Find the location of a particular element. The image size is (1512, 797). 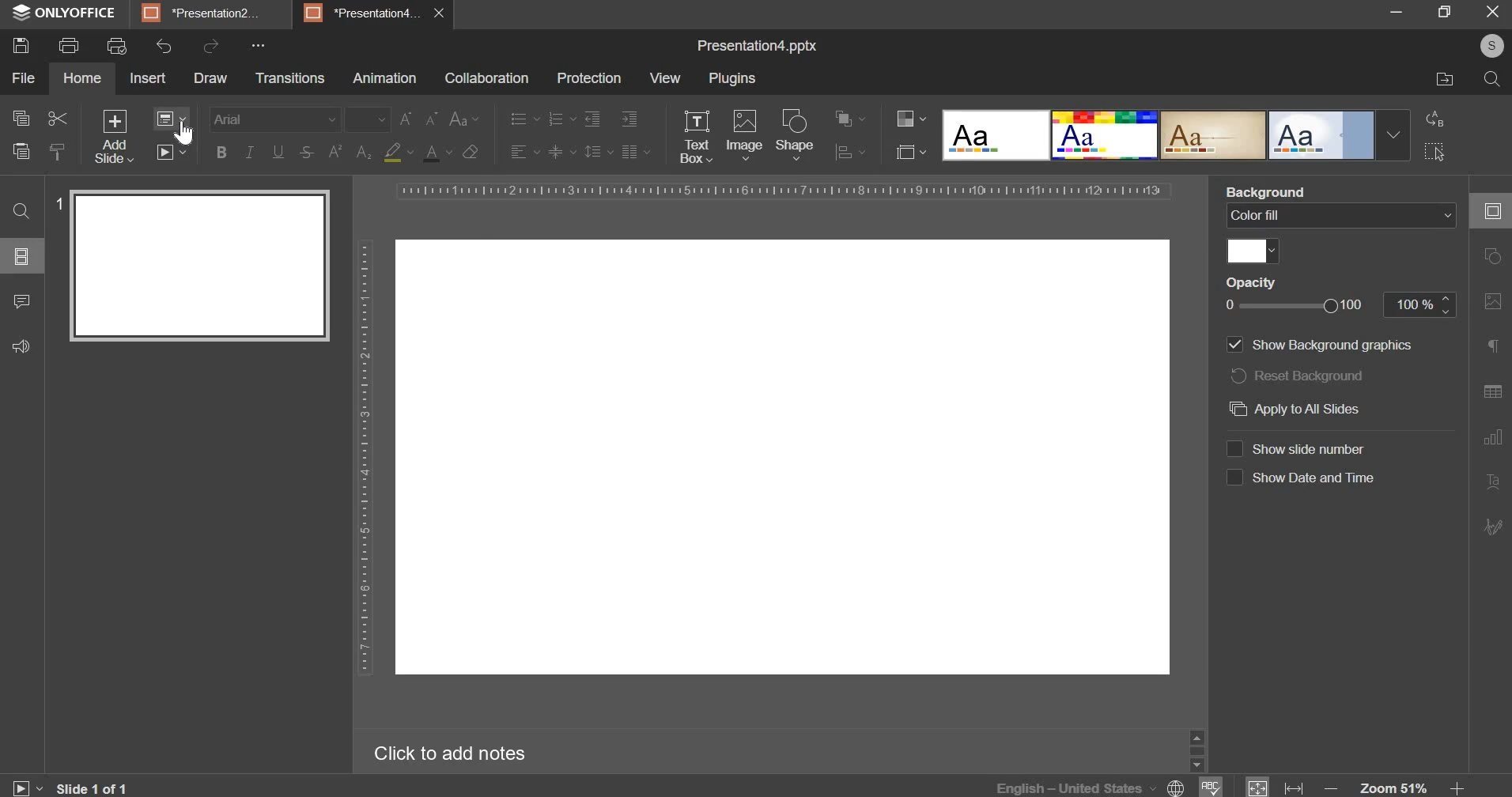

background fill is located at coordinates (1341, 215).